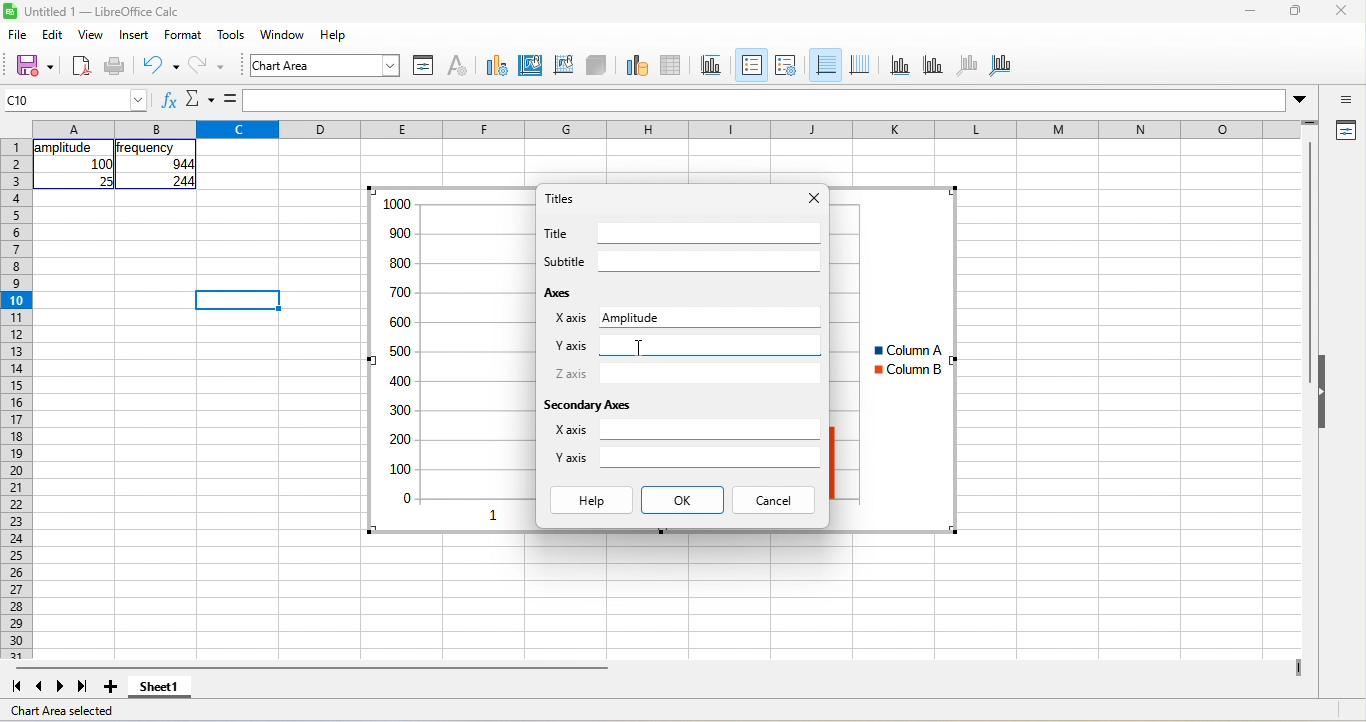 This screenshot has height=722, width=1366. What do you see at coordinates (424, 66) in the screenshot?
I see `format selection` at bounding box center [424, 66].